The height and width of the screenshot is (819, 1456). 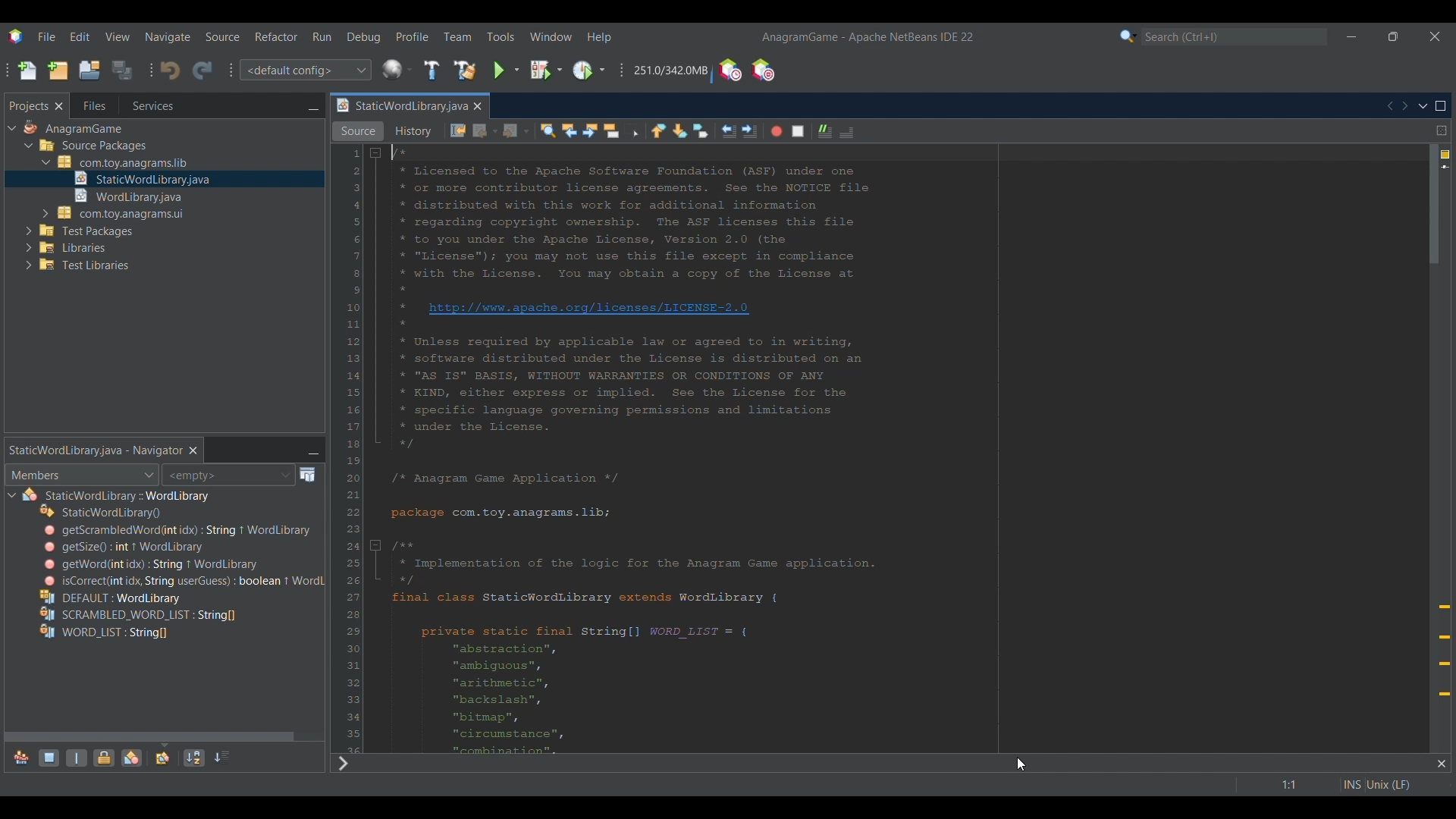 What do you see at coordinates (799, 131) in the screenshot?
I see `Stop macro recording` at bounding box center [799, 131].